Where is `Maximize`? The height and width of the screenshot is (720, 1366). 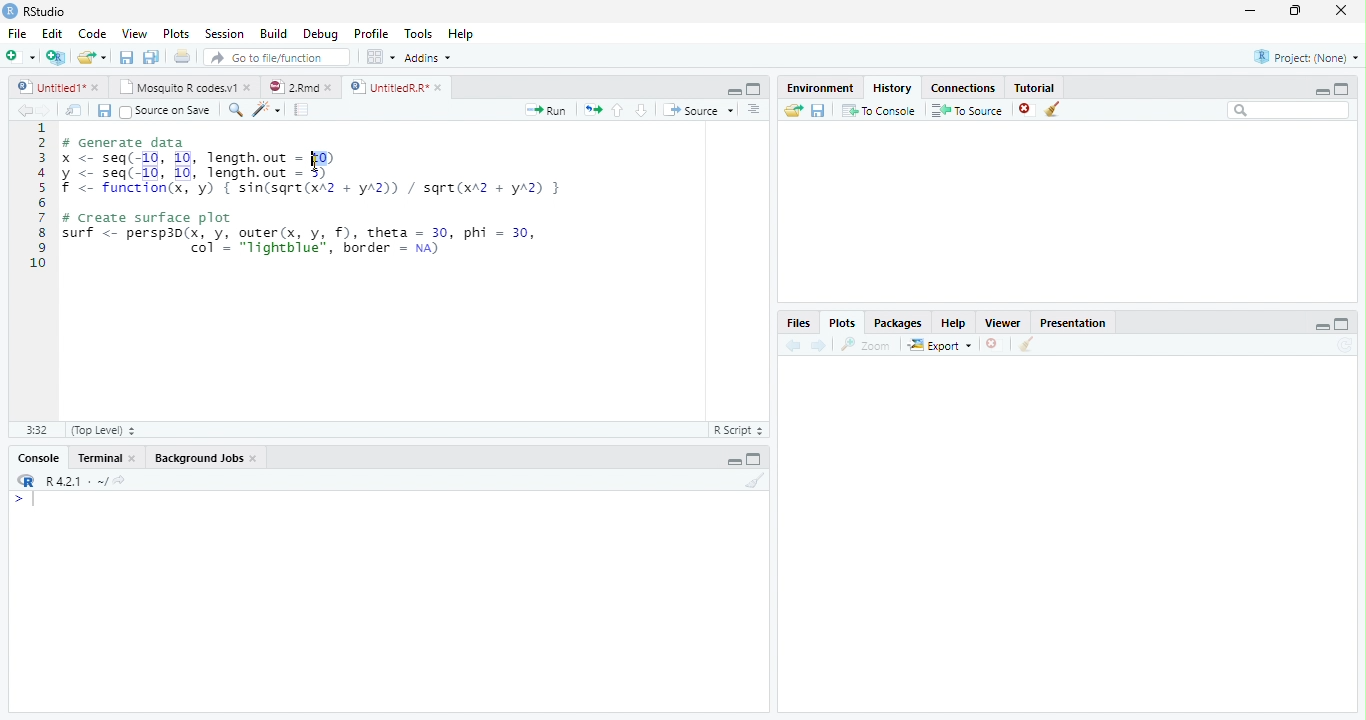
Maximize is located at coordinates (753, 461).